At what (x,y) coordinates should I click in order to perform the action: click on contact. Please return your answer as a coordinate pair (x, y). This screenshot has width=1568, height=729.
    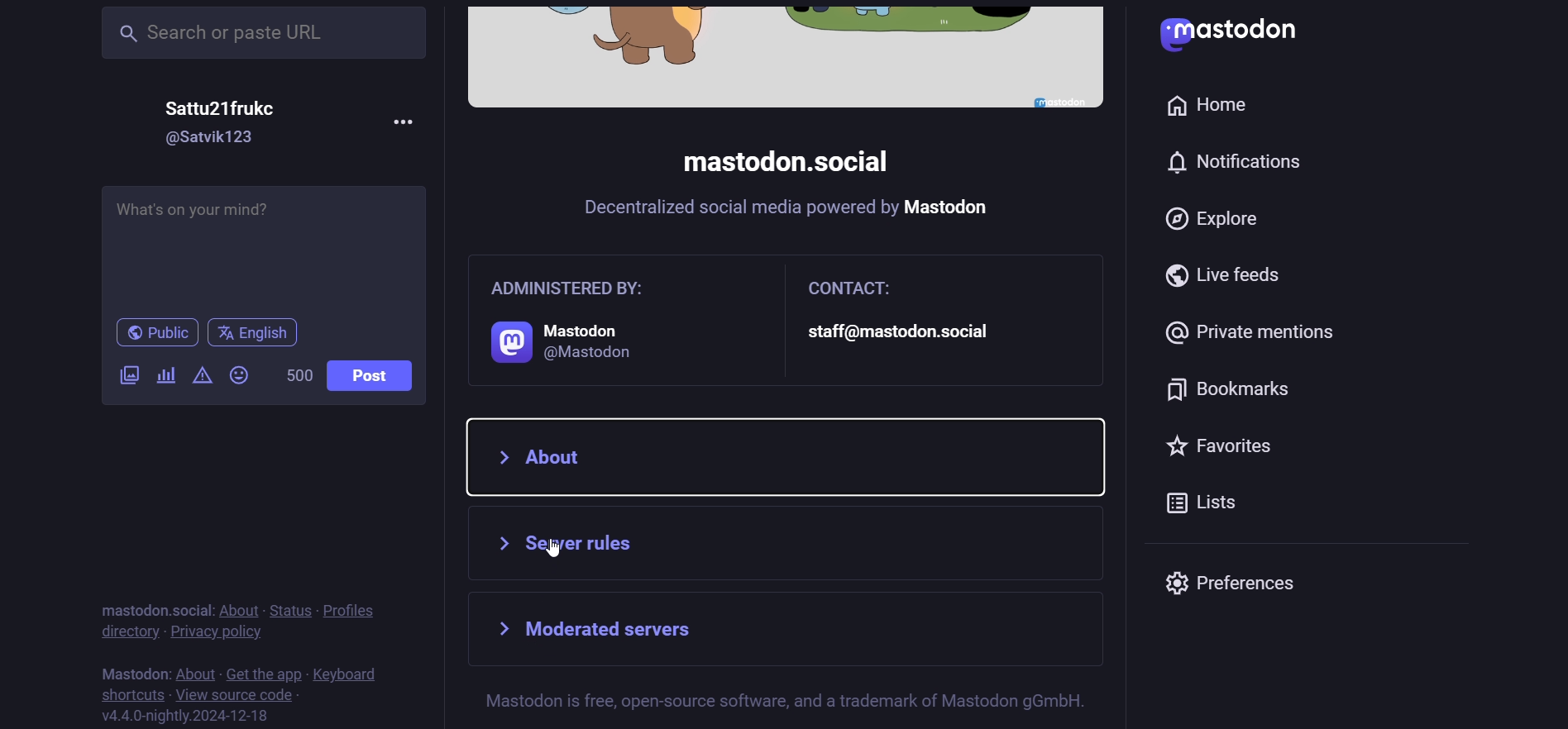
    Looking at the image, I should click on (915, 319).